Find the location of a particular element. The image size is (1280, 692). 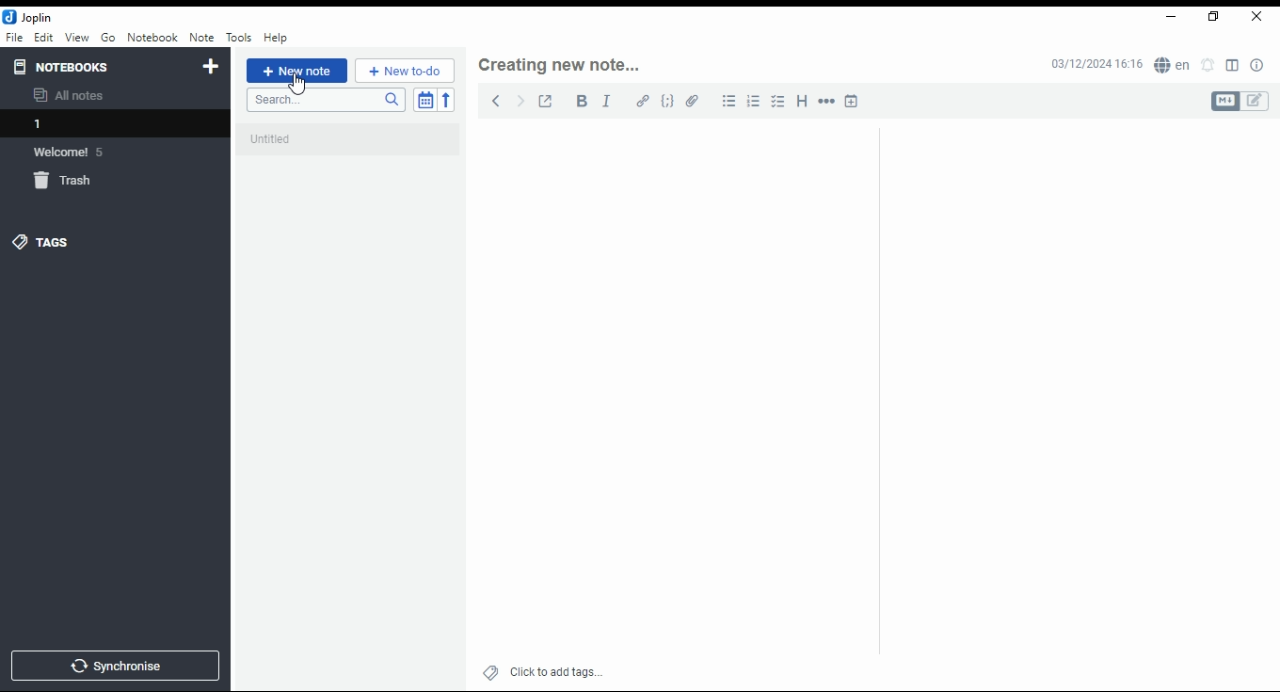

New to-do is located at coordinates (405, 71).